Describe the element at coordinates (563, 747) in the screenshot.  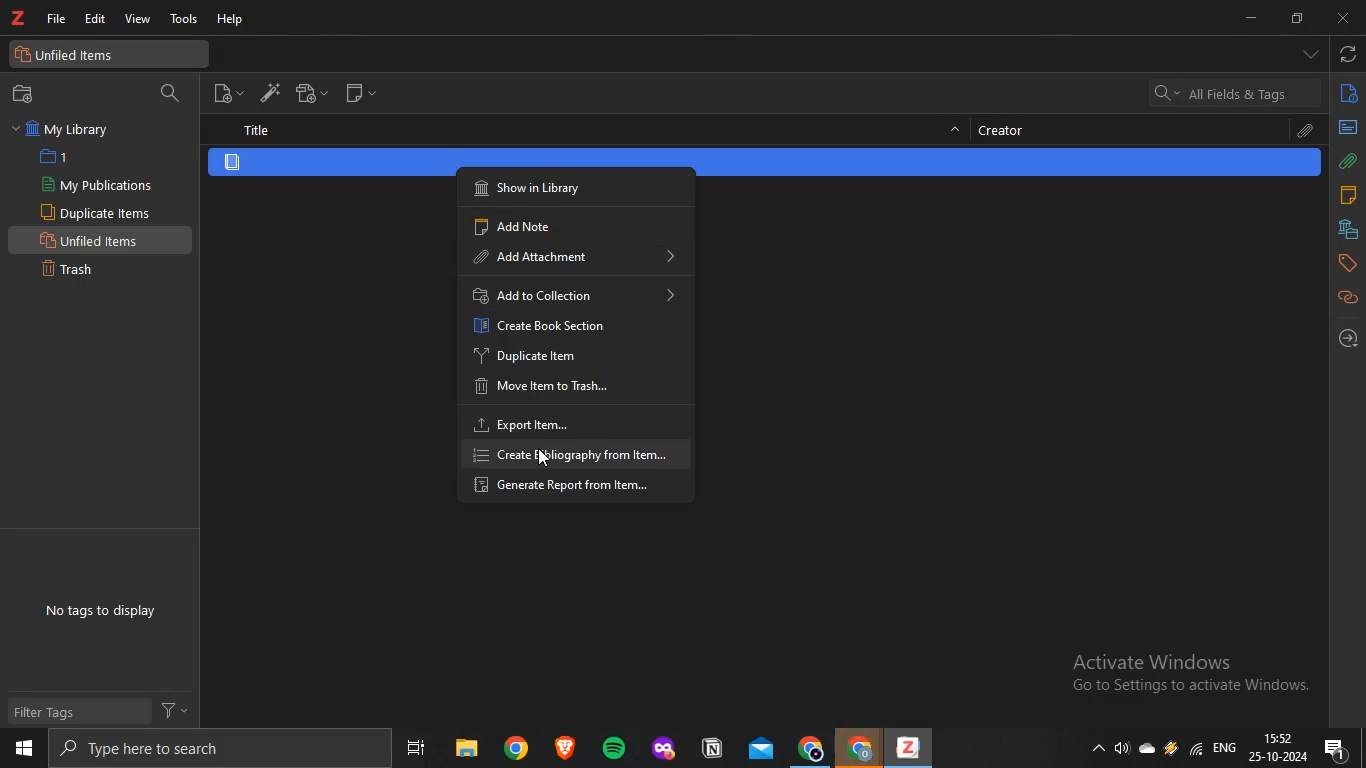
I see `brave` at that location.